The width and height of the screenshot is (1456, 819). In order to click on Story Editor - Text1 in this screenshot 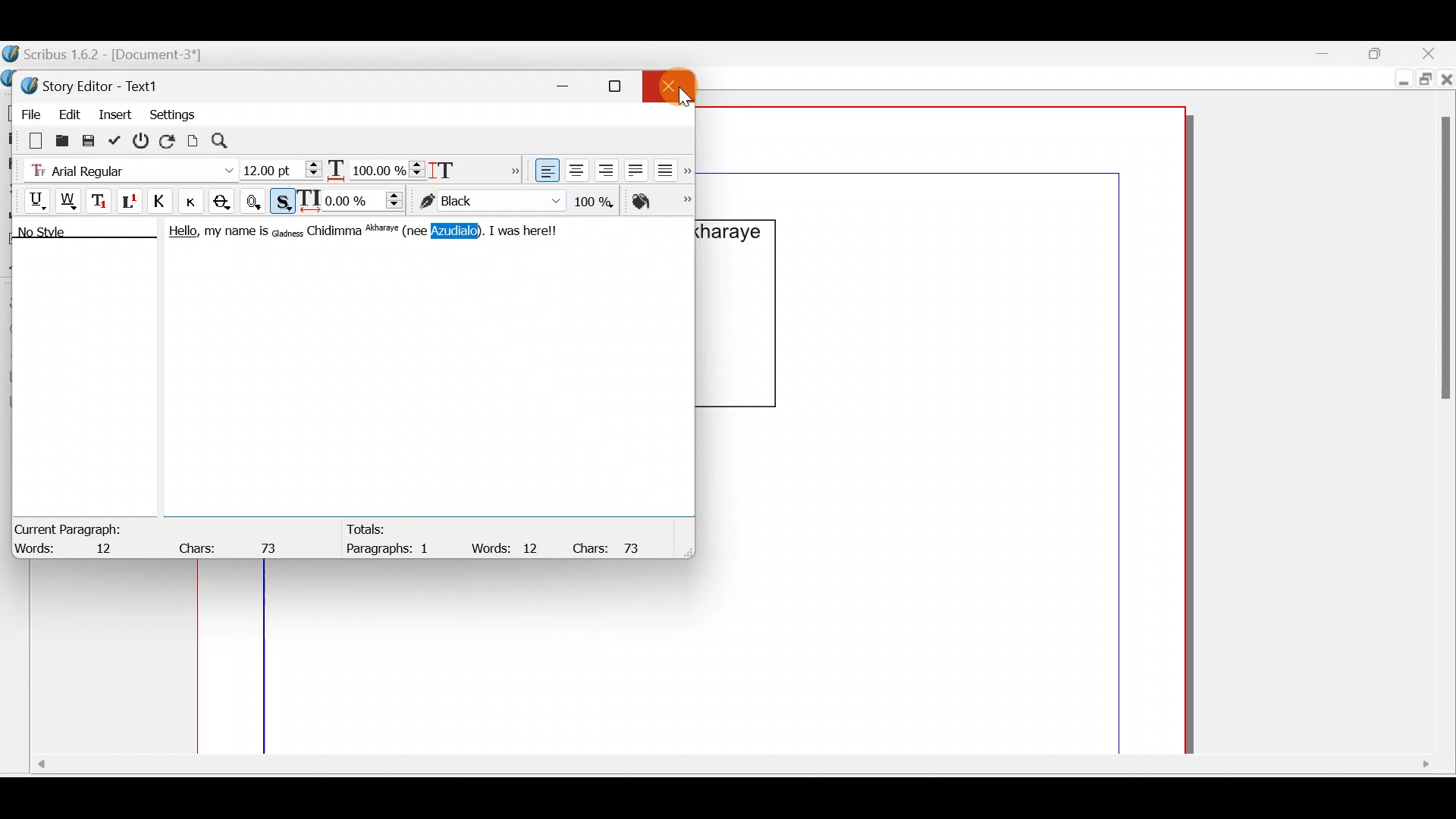, I will do `click(95, 84)`.